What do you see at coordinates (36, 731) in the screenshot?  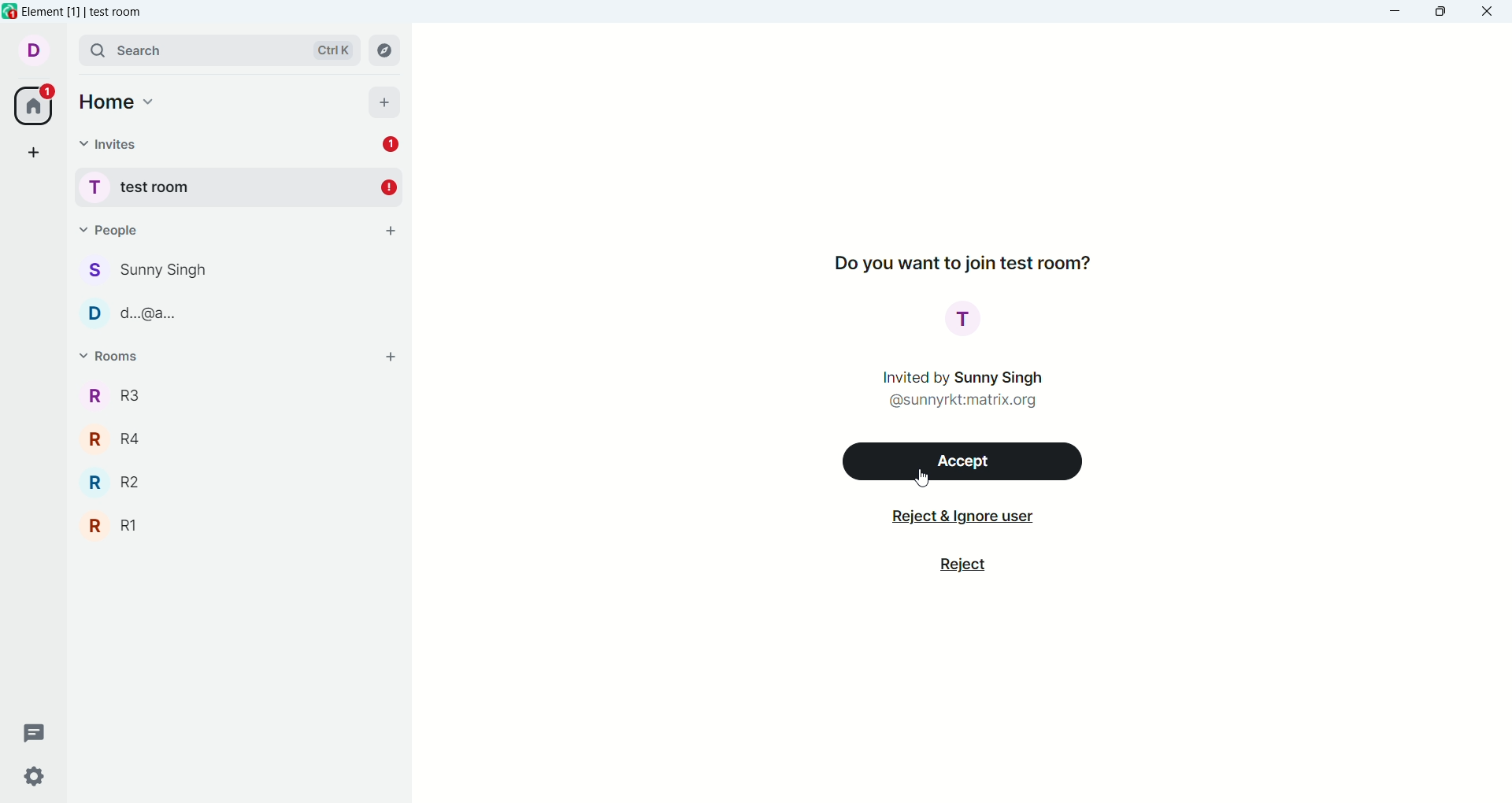 I see `threads` at bounding box center [36, 731].